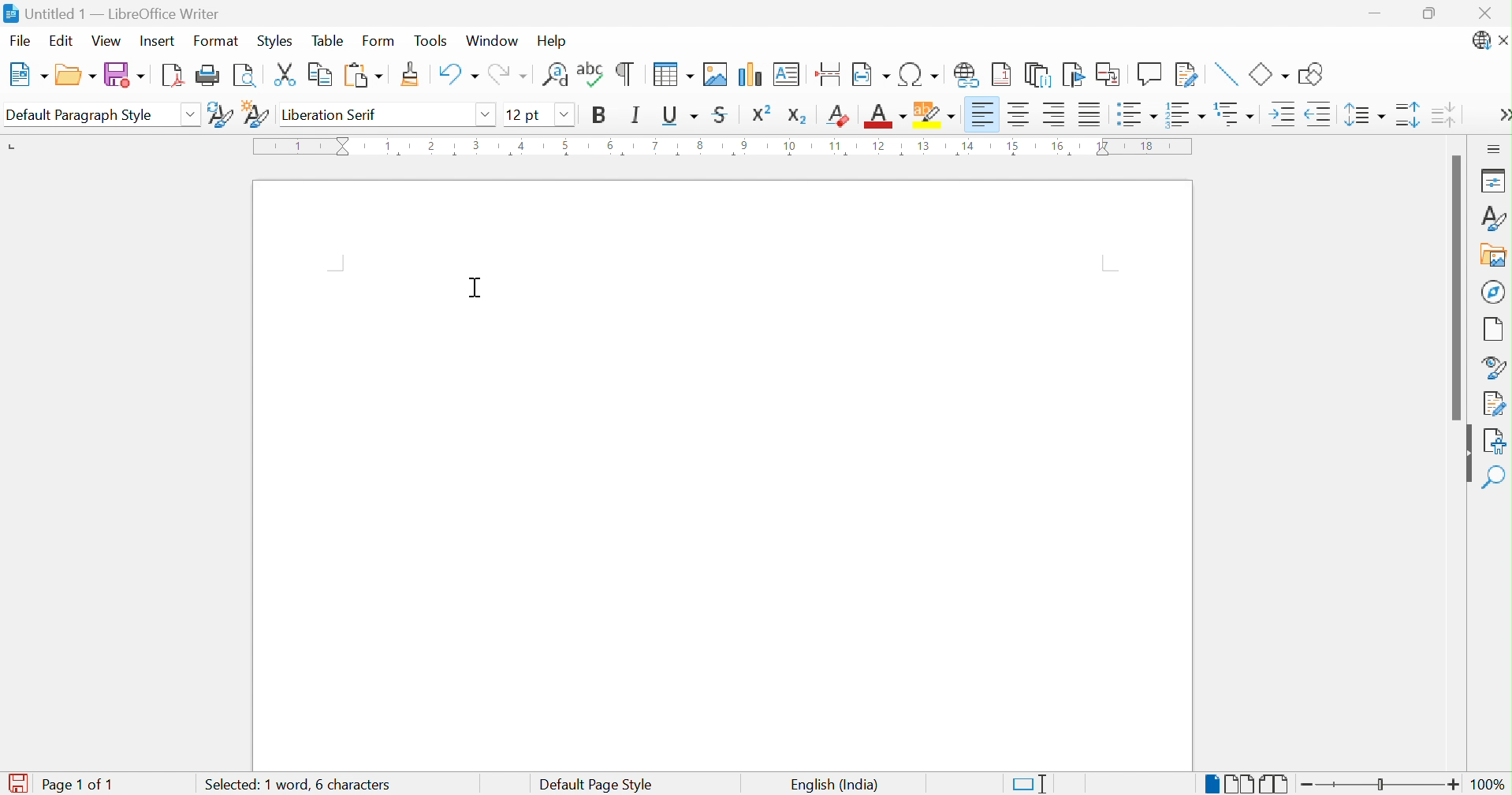 The width and height of the screenshot is (1512, 795). Describe the element at coordinates (333, 116) in the screenshot. I see `Liberation serif` at that location.